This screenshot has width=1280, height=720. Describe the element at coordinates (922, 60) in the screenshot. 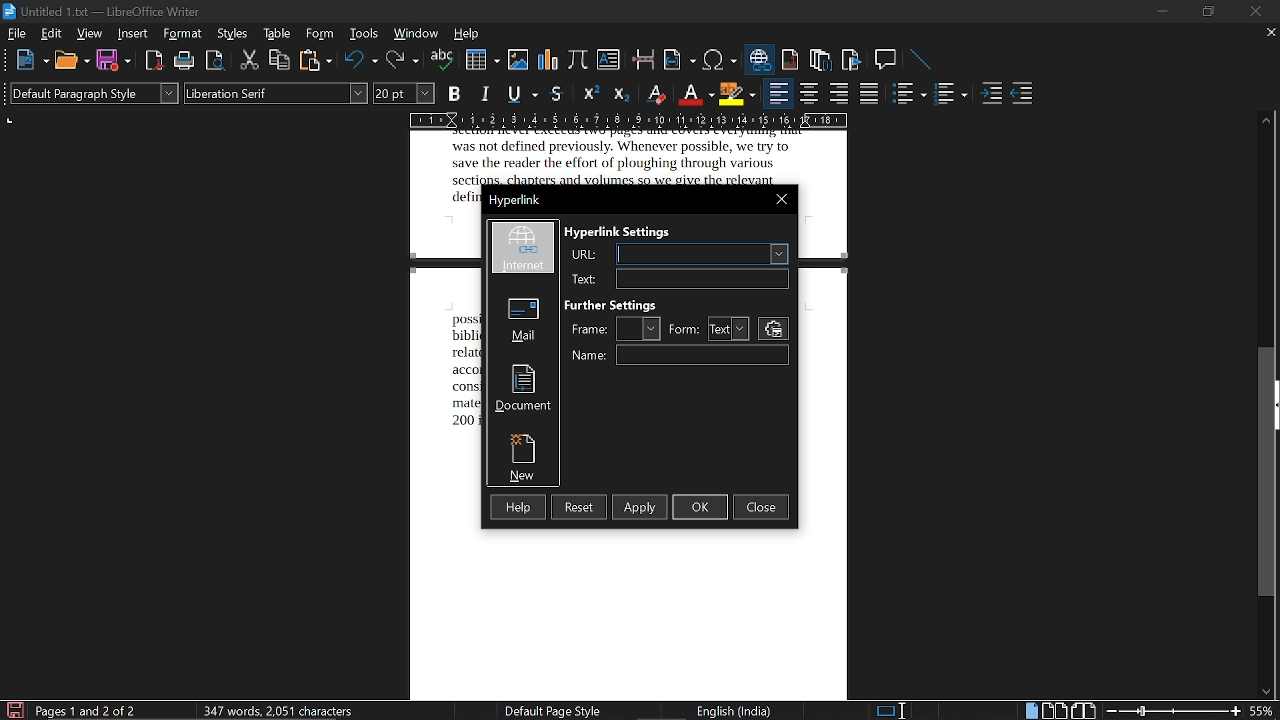

I see `line` at that location.